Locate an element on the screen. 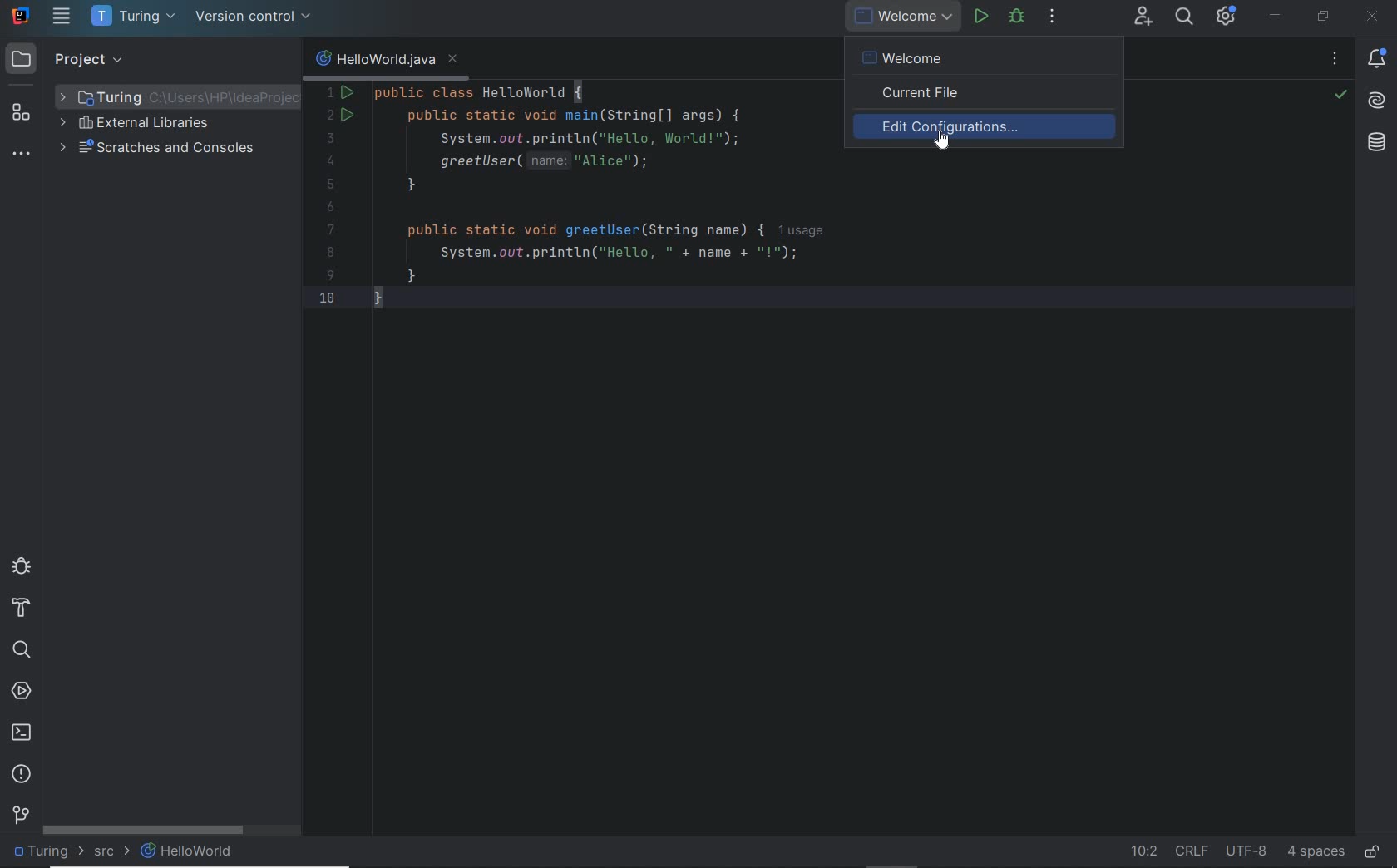 The image size is (1397, 868). more actions is located at coordinates (1052, 17).